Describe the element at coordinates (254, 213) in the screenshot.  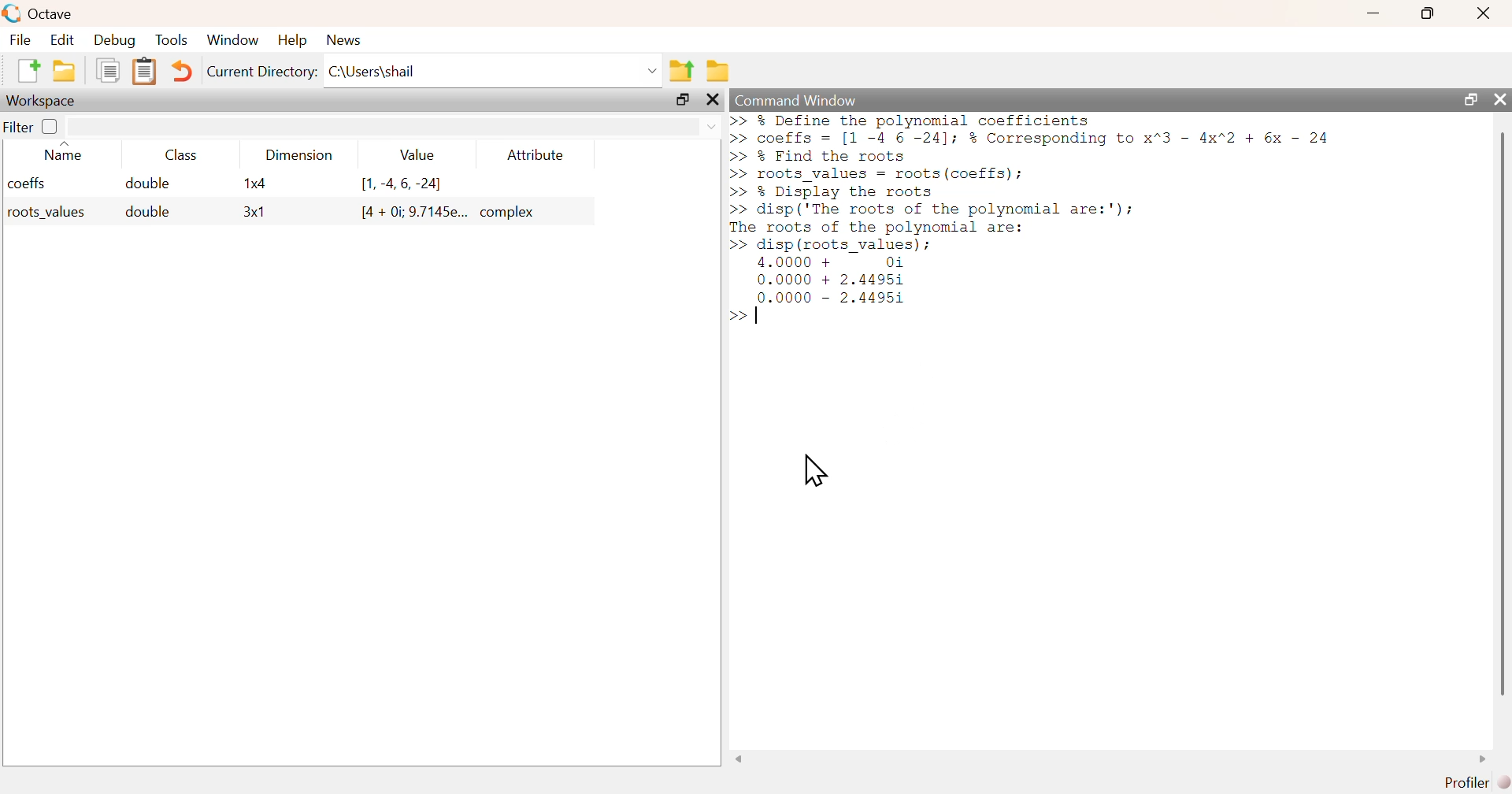
I see `3x1` at that location.